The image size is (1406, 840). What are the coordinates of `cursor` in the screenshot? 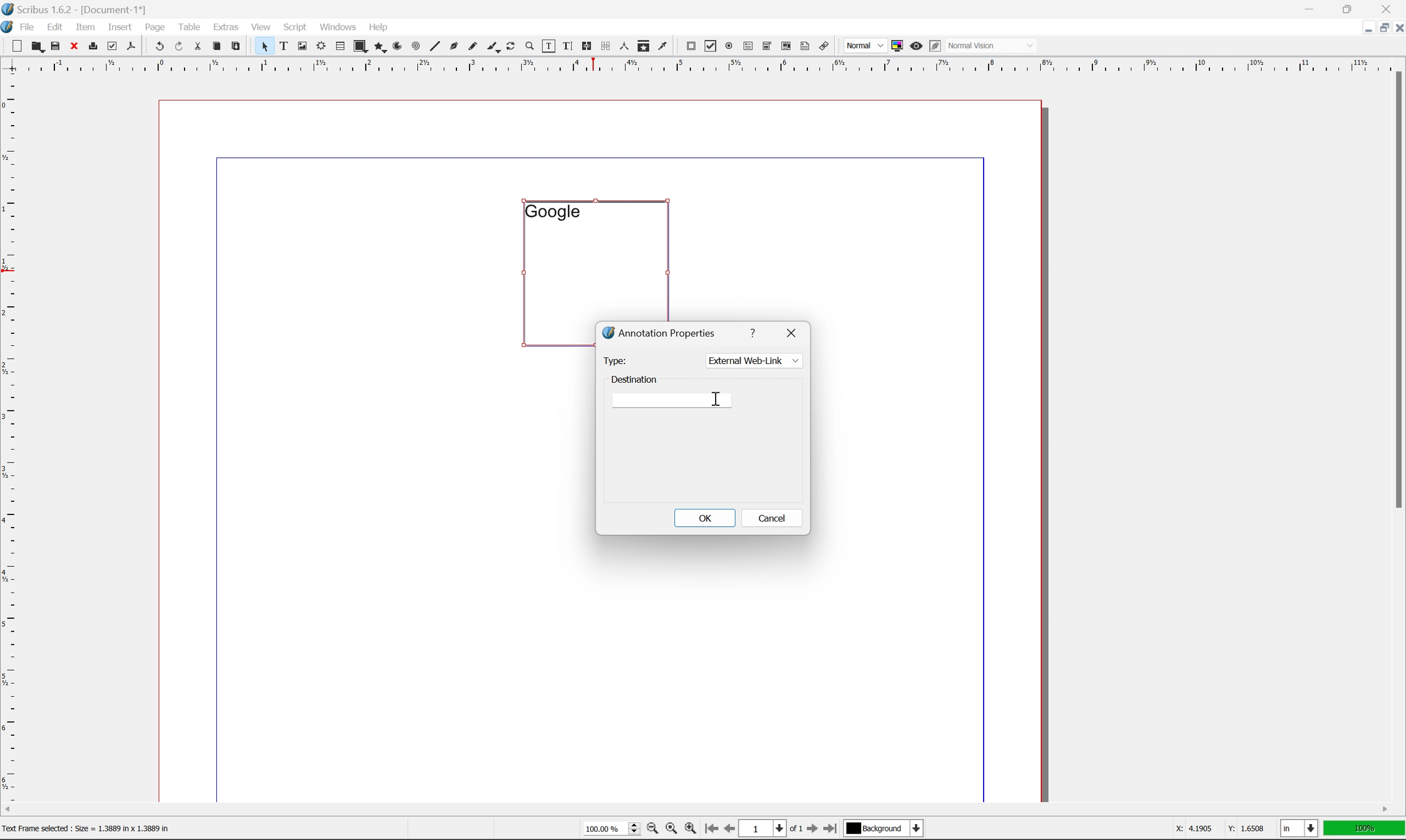 It's located at (719, 400).